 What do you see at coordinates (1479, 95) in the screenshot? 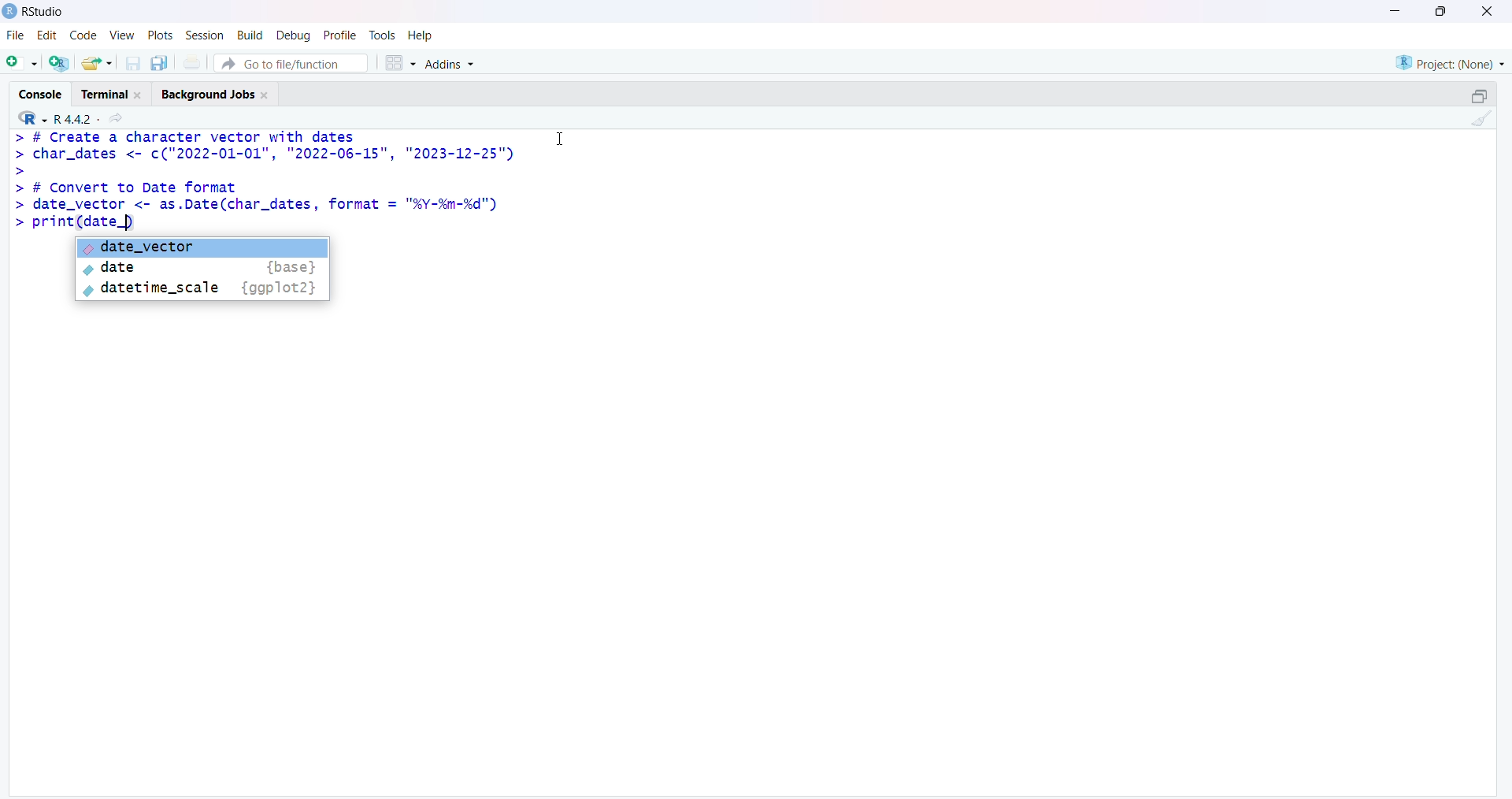
I see `Maximize/Restore` at bounding box center [1479, 95].